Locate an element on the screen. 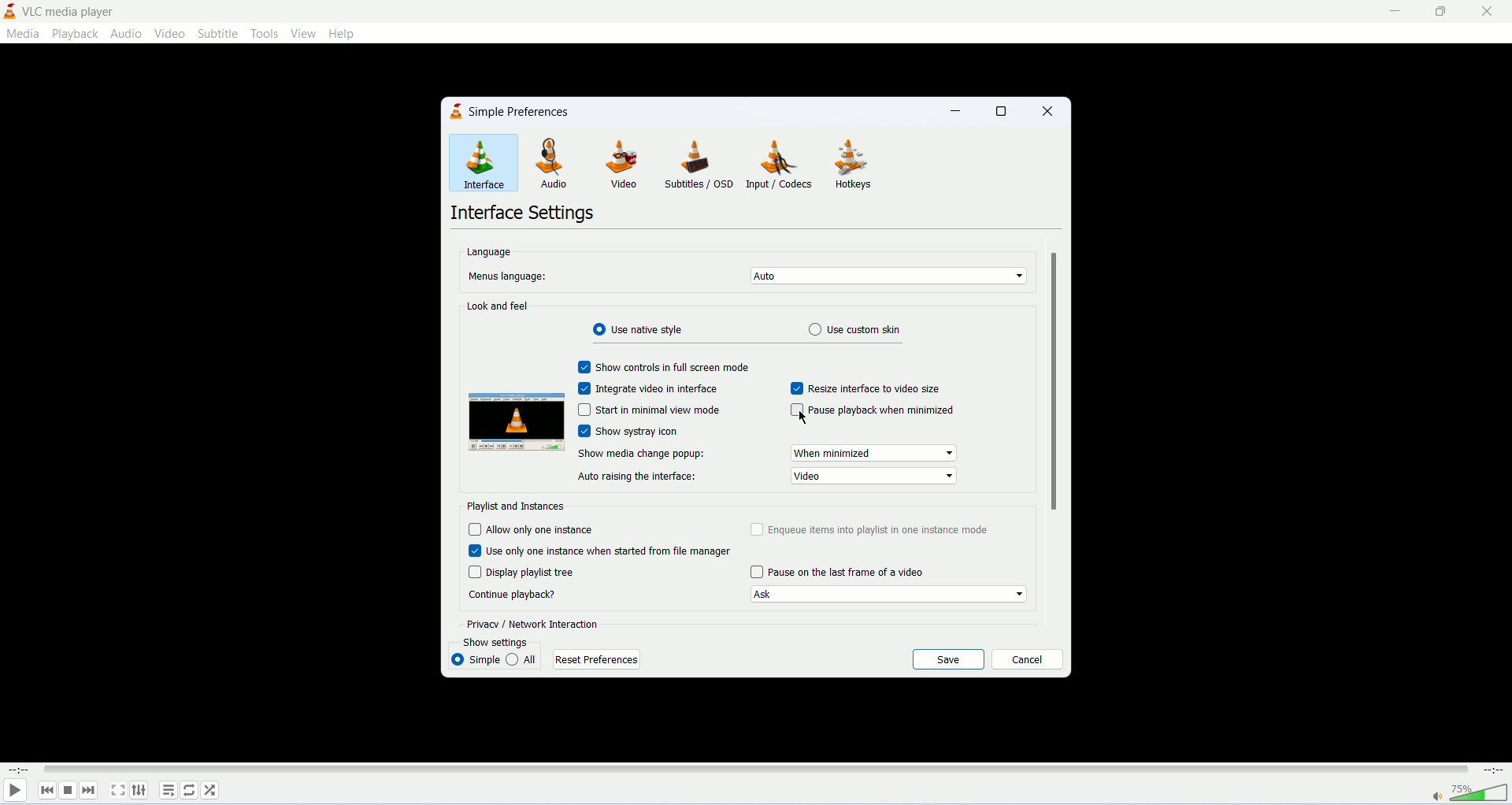  Checkbox is located at coordinates (584, 387).